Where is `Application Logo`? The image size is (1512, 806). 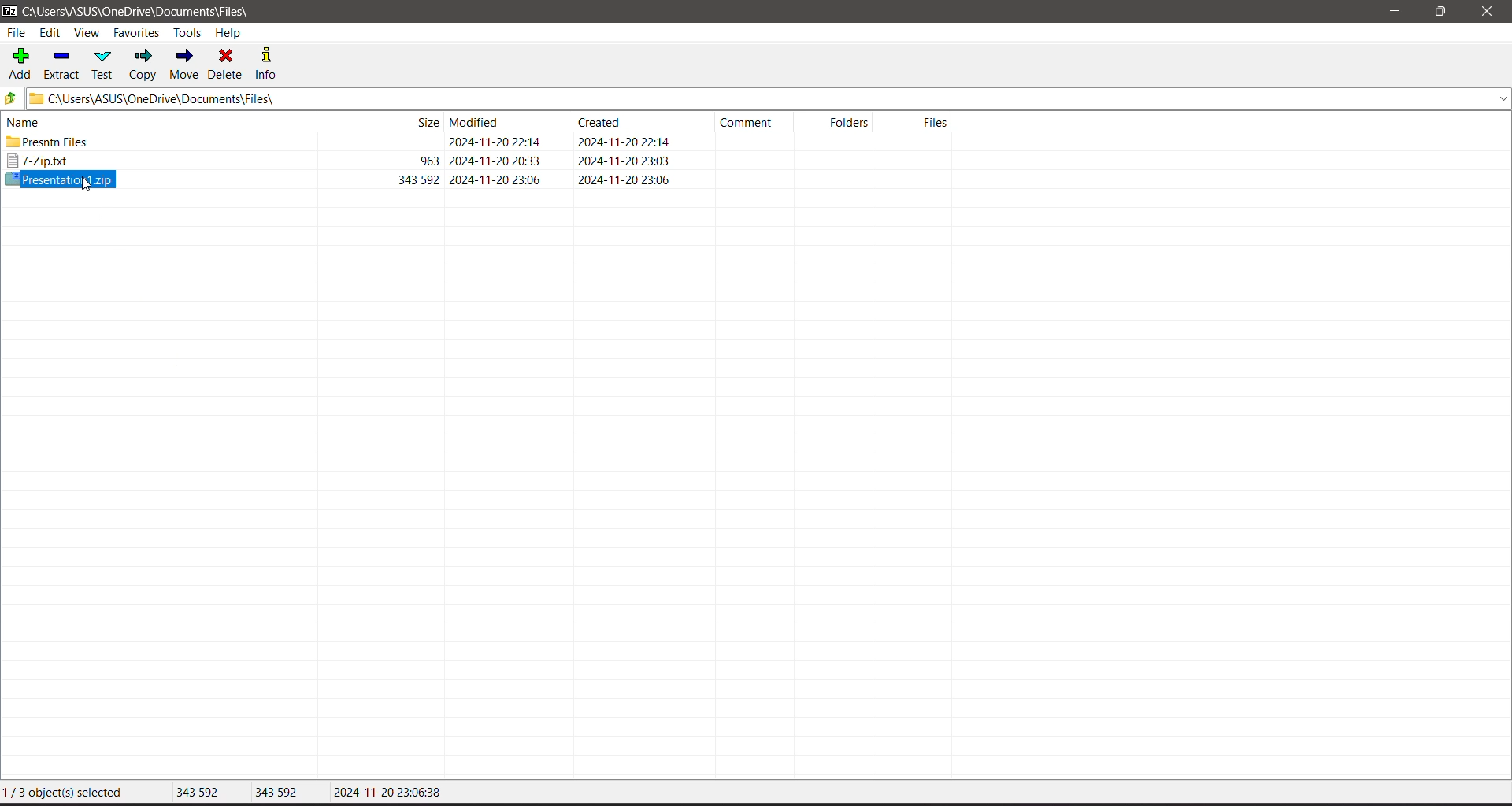 Application Logo is located at coordinates (9, 12).